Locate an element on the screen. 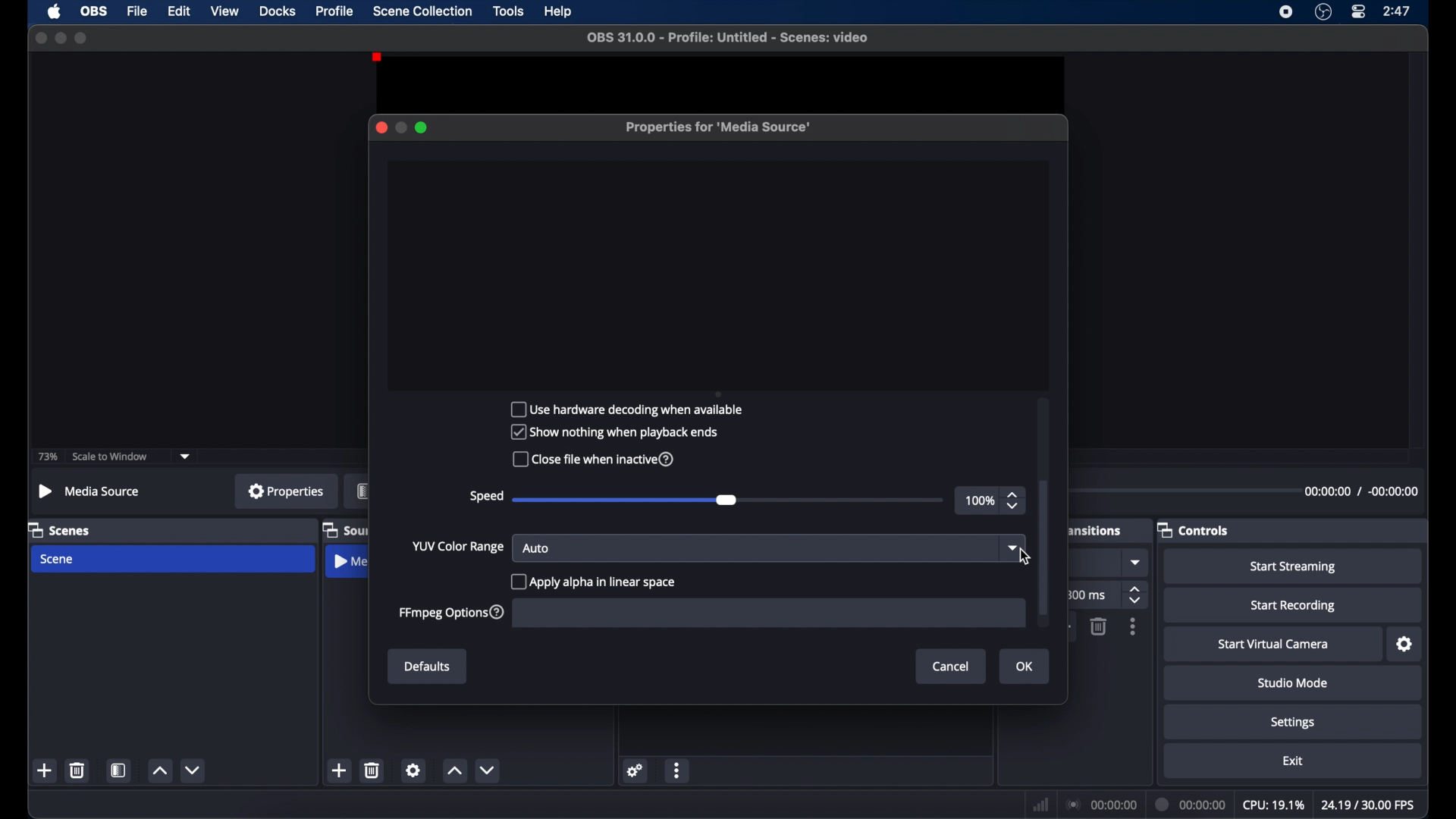 This screenshot has height=819, width=1456. cursor is located at coordinates (1025, 557).